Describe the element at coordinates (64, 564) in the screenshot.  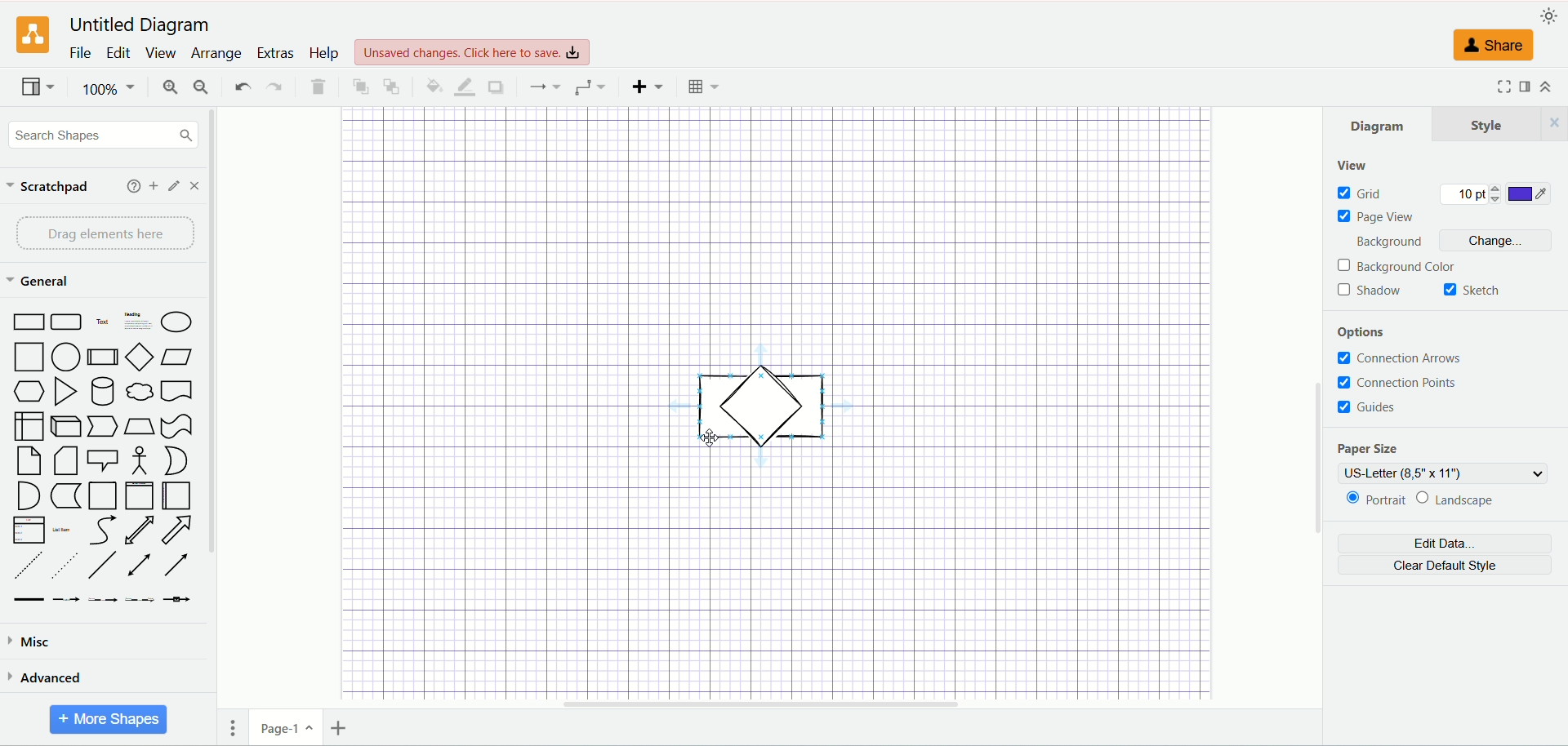
I see `Dotted line` at that location.